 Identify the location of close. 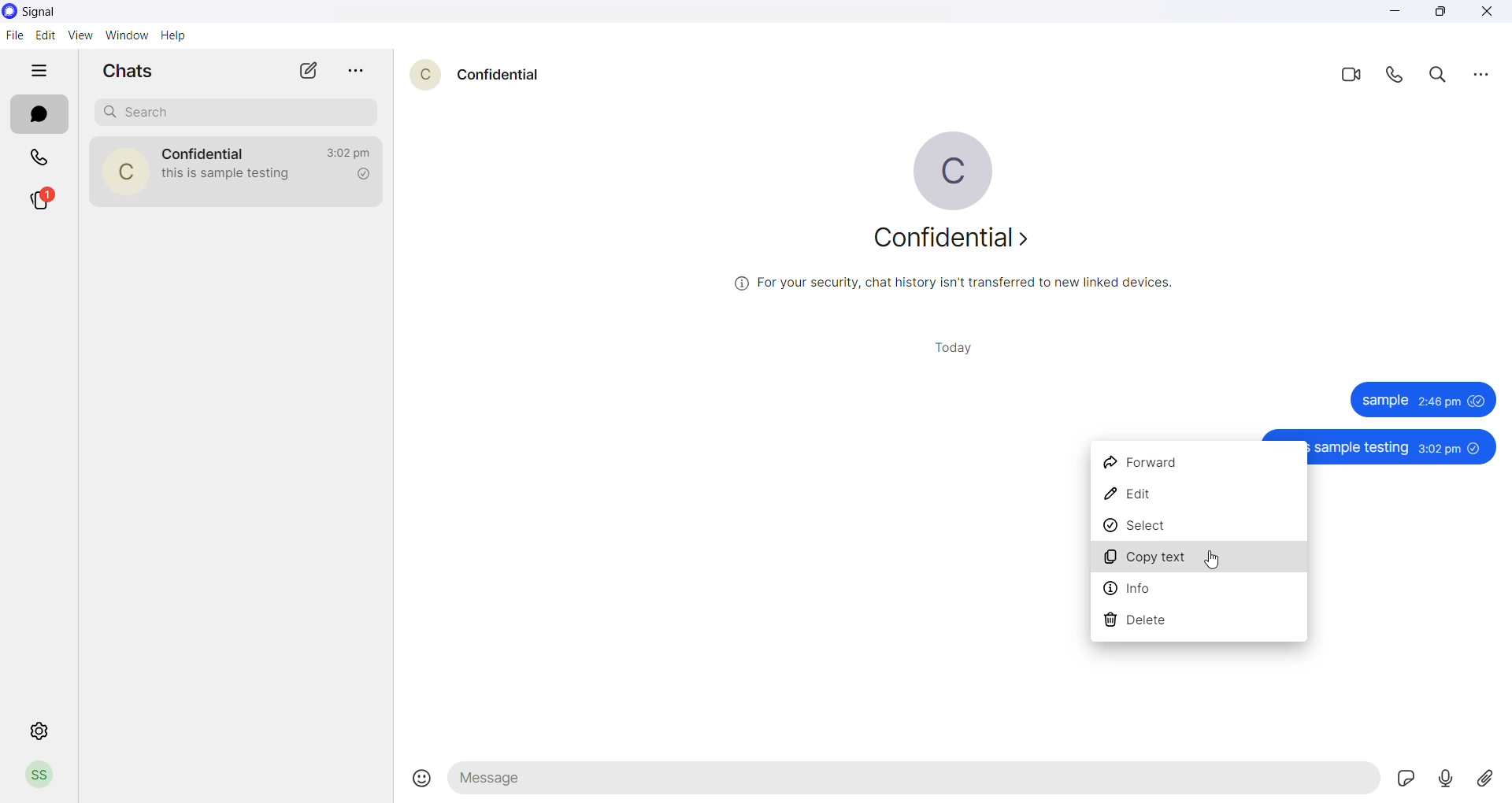
(1489, 13).